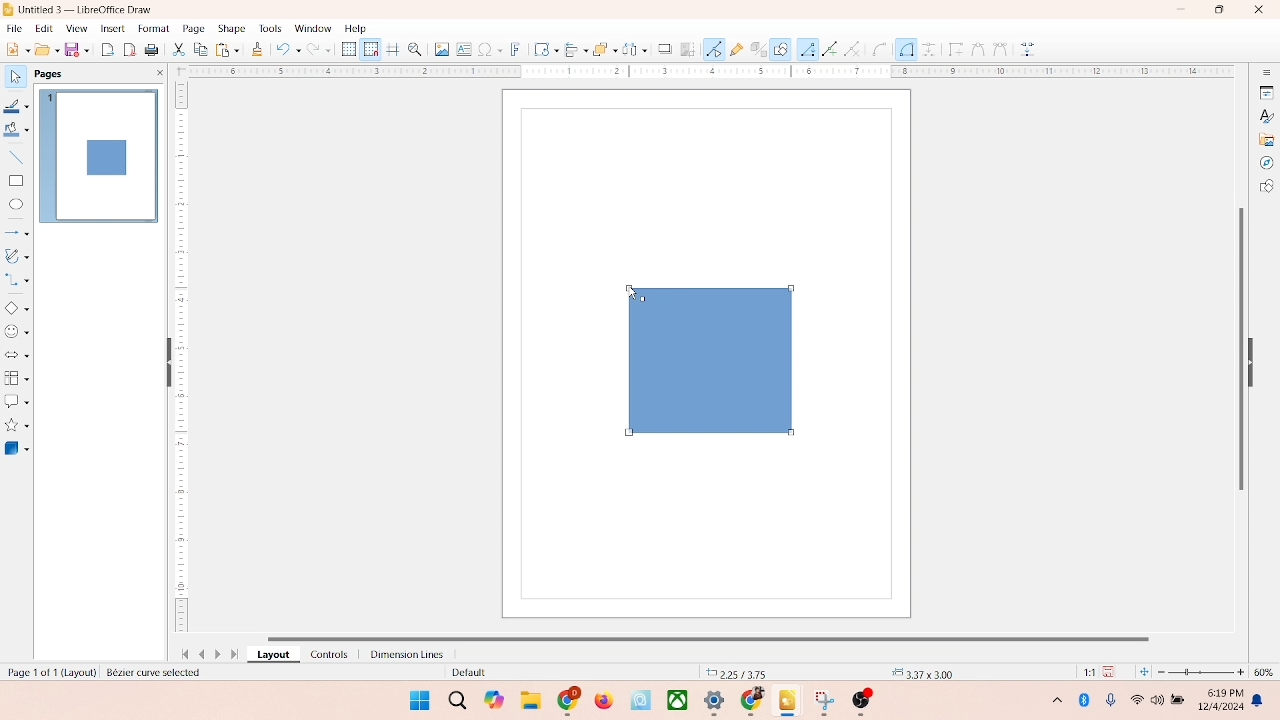 The width and height of the screenshot is (1280, 720). What do you see at coordinates (1239, 347) in the screenshot?
I see `vertical scroll bar` at bounding box center [1239, 347].